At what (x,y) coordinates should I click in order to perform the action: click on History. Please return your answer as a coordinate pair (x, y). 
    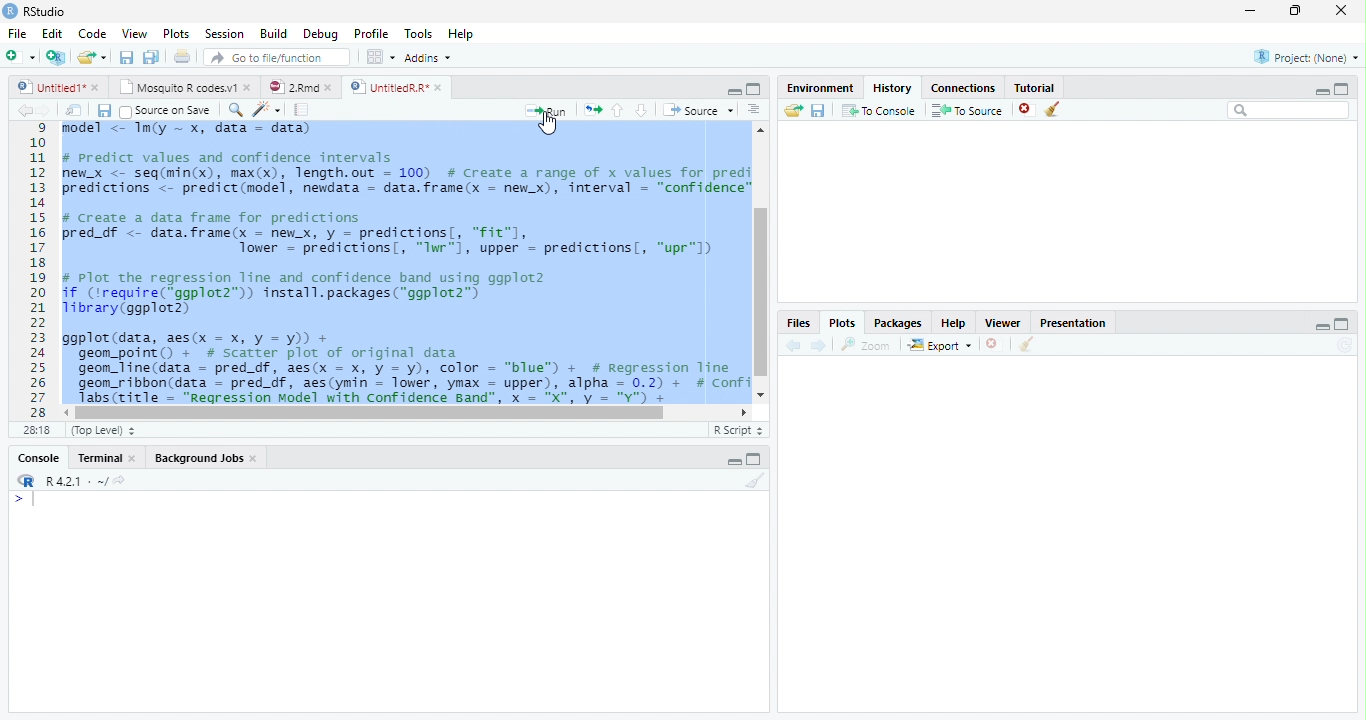
    Looking at the image, I should click on (892, 89).